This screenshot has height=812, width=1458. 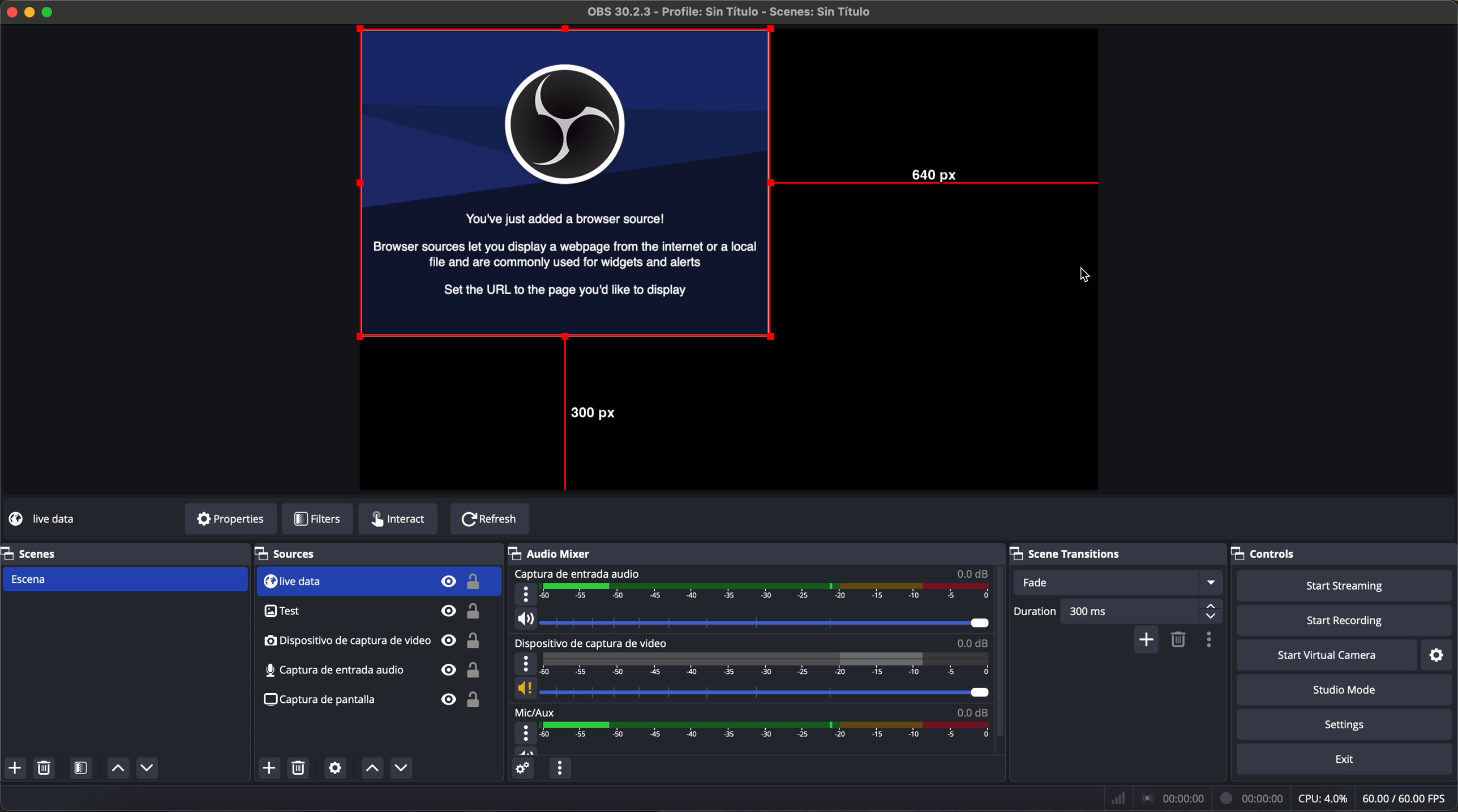 I want to click on fade, so click(x=1121, y=582).